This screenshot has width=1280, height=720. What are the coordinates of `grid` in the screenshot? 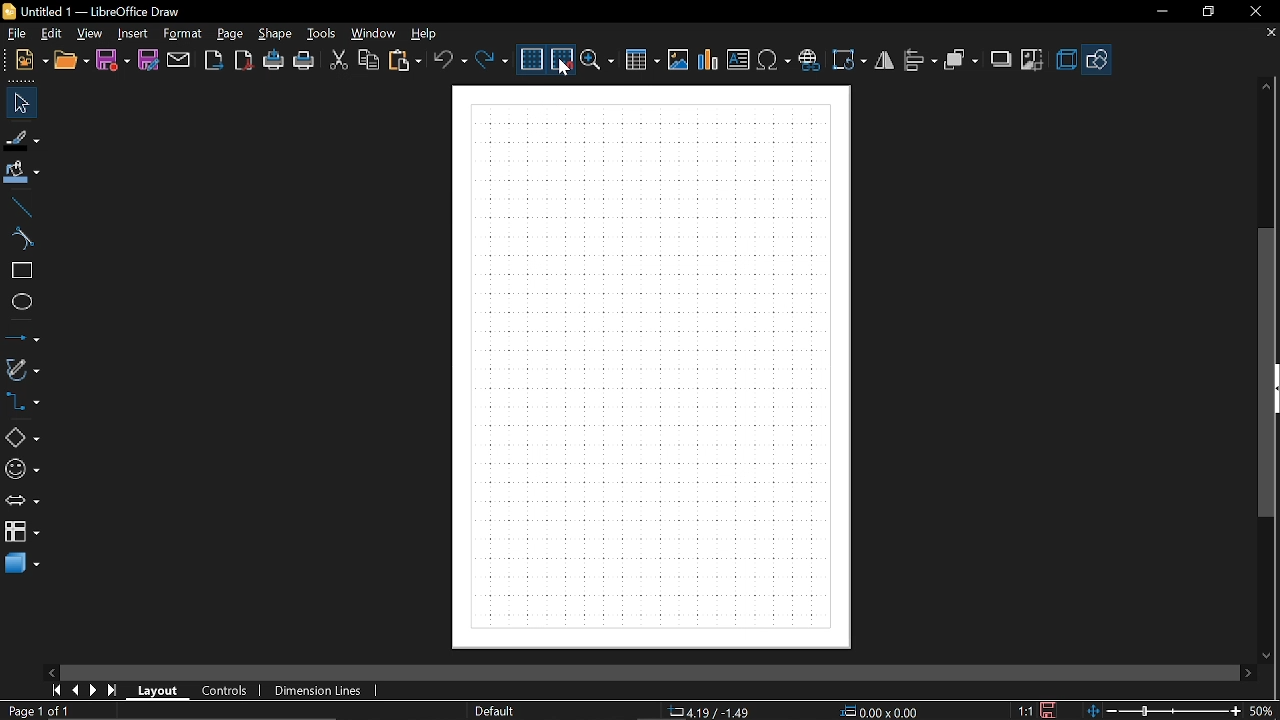 It's located at (532, 60).